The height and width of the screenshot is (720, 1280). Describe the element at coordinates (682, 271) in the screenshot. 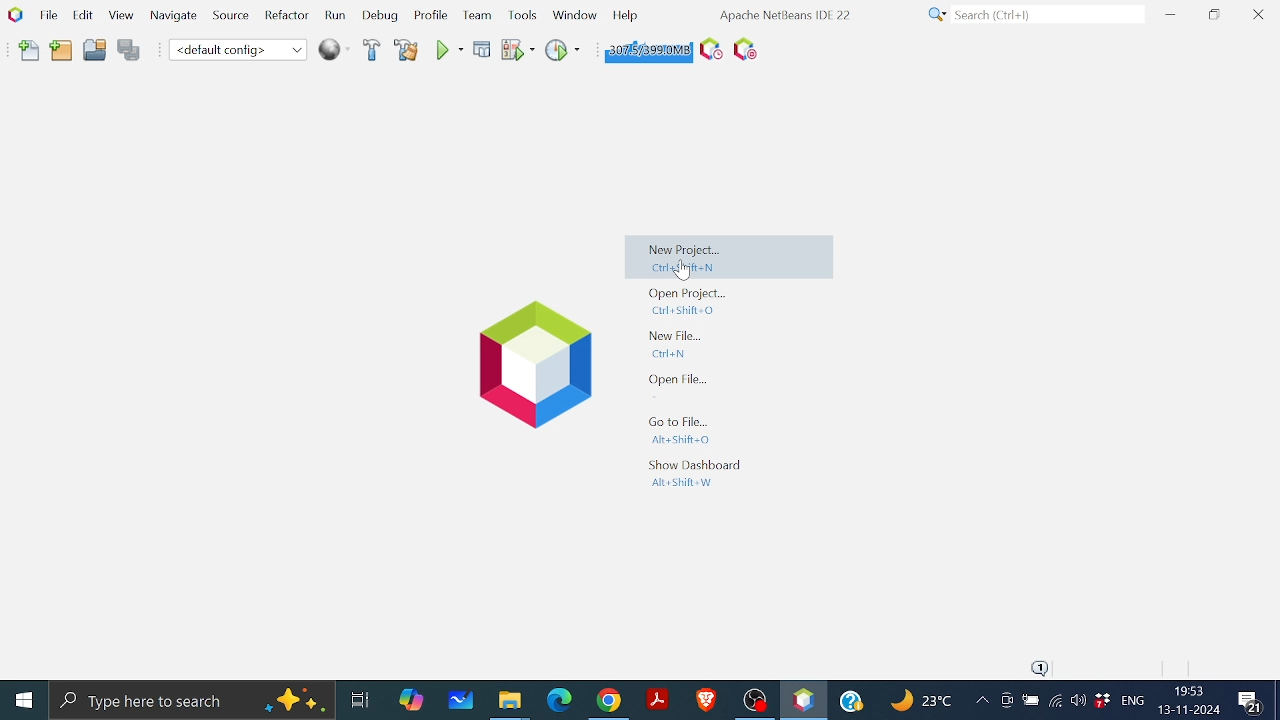

I see `cursor` at that location.